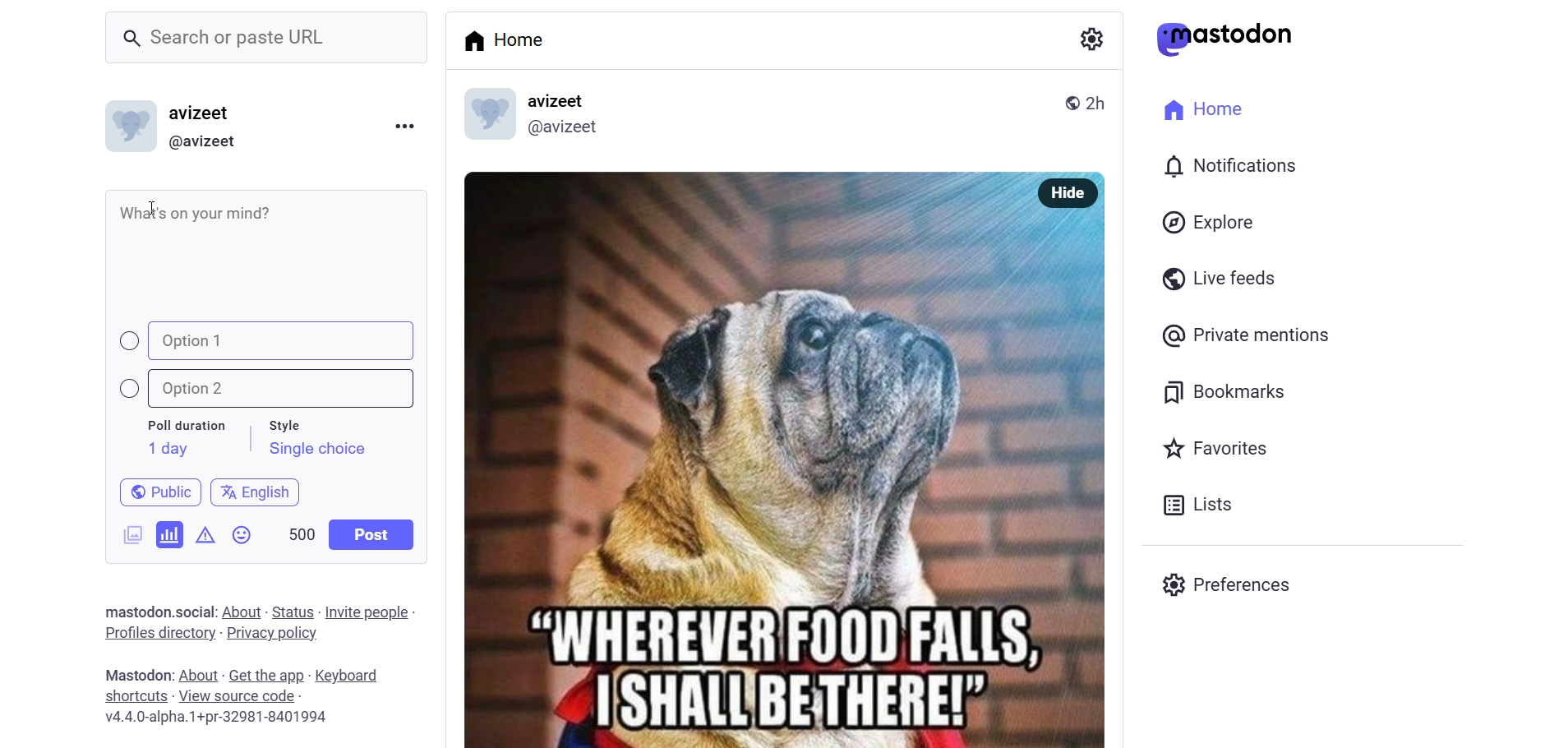  Describe the element at coordinates (153, 491) in the screenshot. I see `public` at that location.